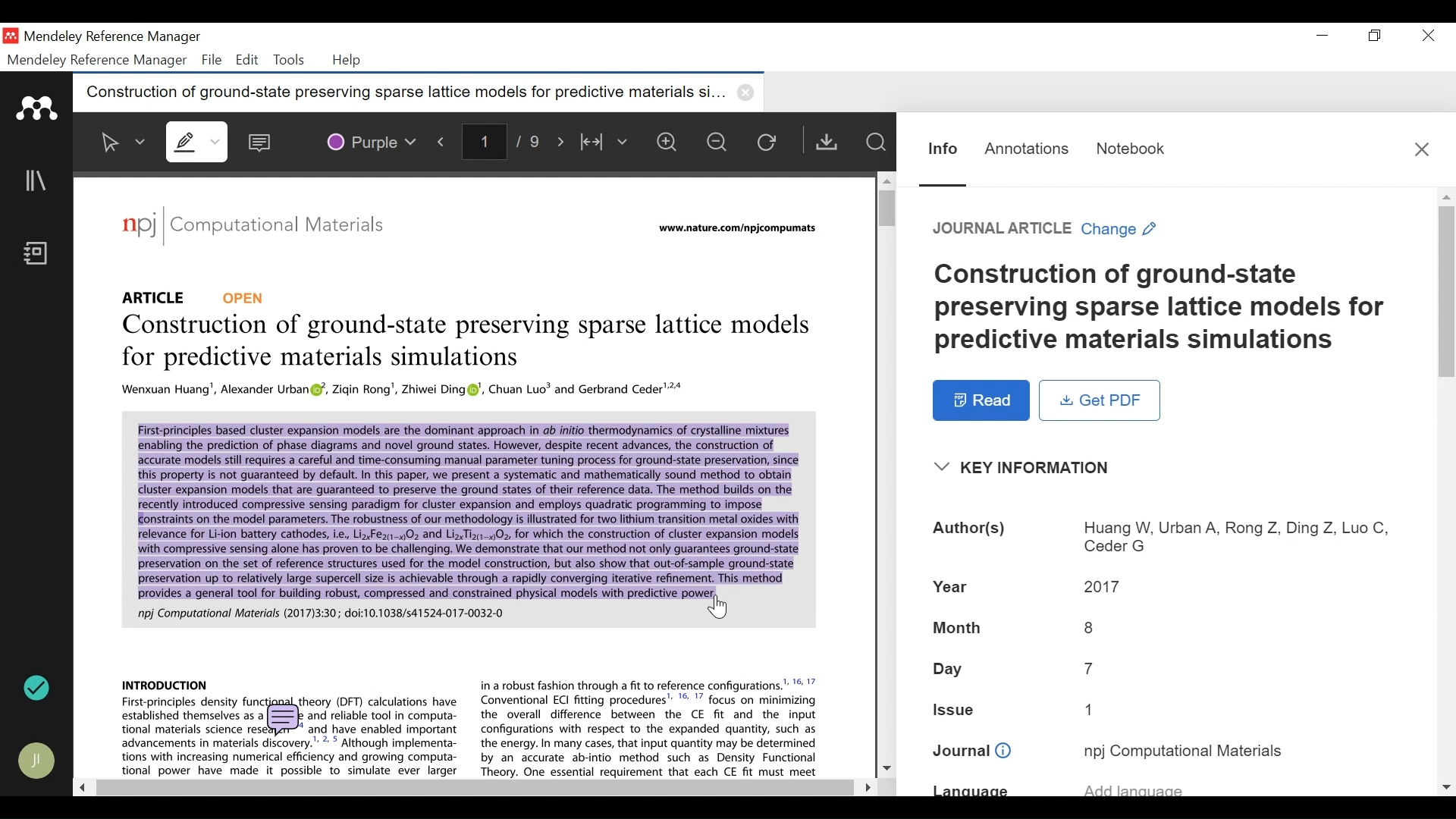 The height and width of the screenshot is (819, 1456). I want to click on PDF Context, so click(165, 683).